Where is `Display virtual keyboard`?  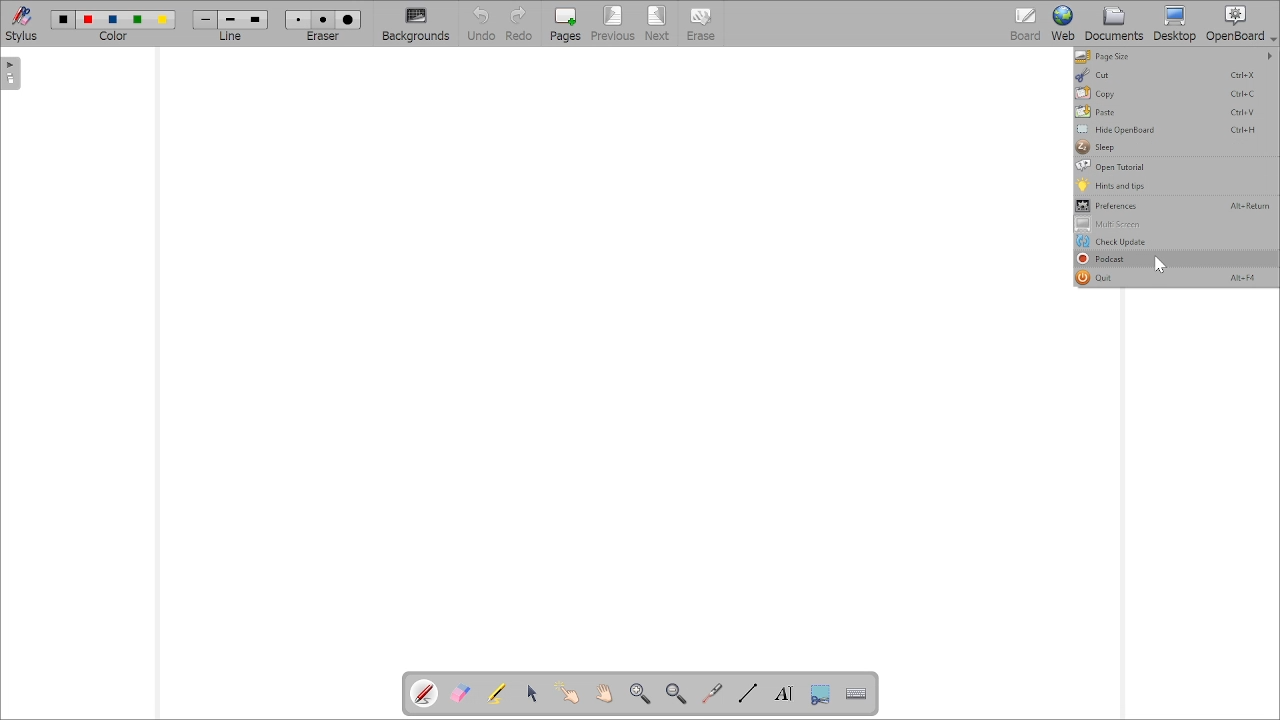 Display virtual keyboard is located at coordinates (854, 693).